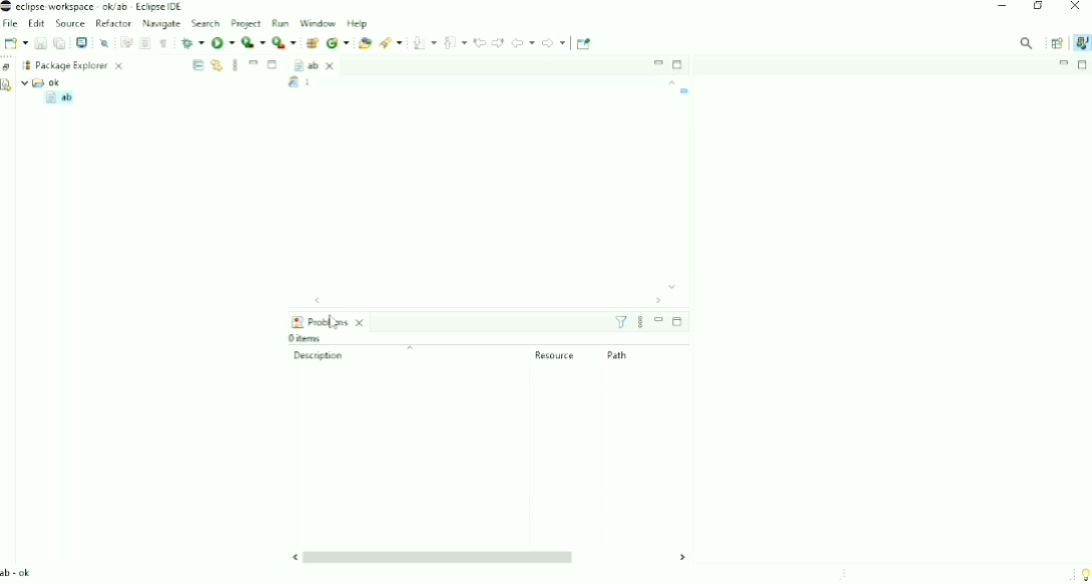 Image resolution: width=1092 pixels, height=584 pixels. I want to click on View Menu, so click(235, 65).